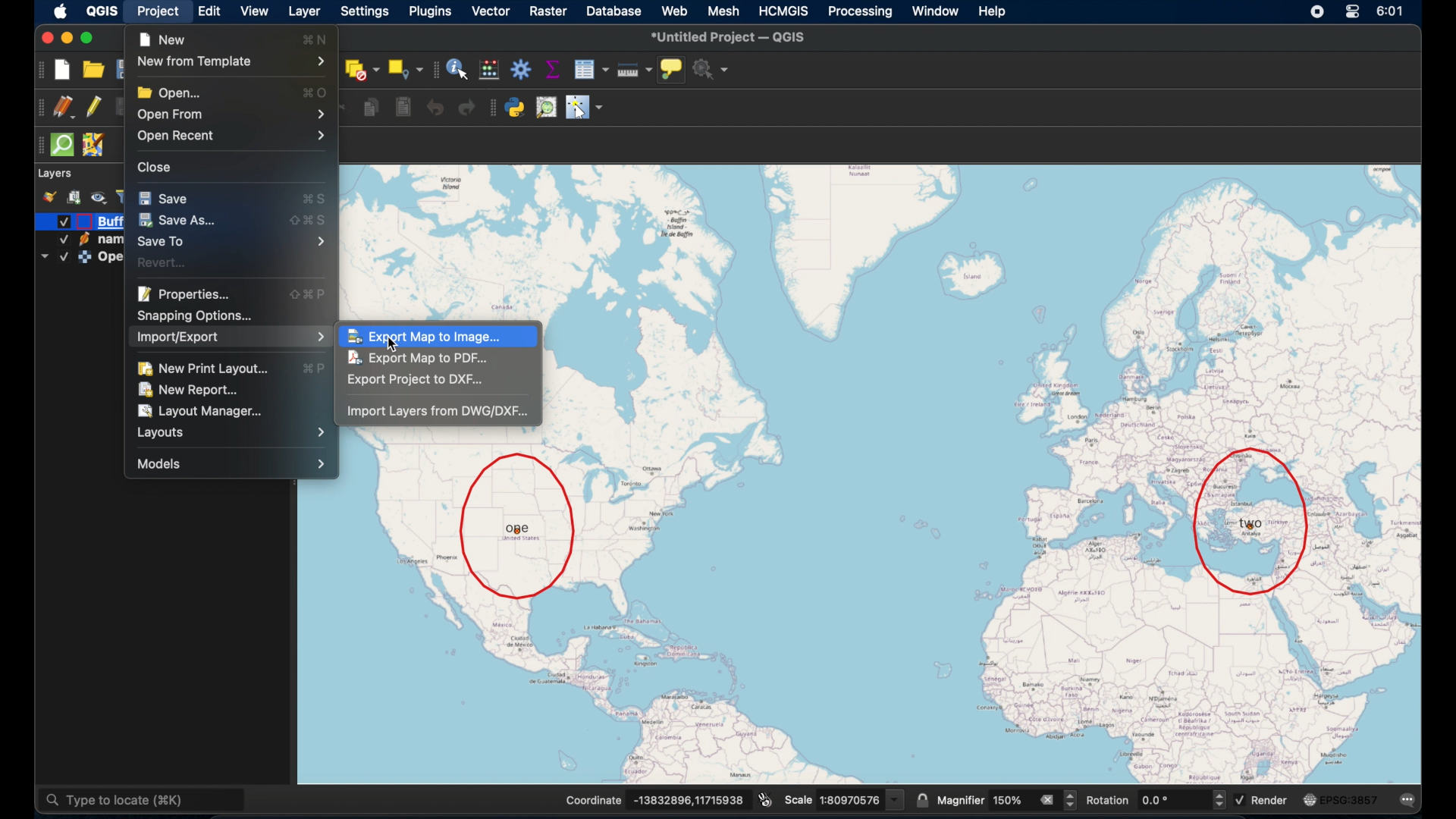 Image resolution: width=1456 pixels, height=819 pixels. What do you see at coordinates (725, 10) in the screenshot?
I see `mesh` at bounding box center [725, 10].